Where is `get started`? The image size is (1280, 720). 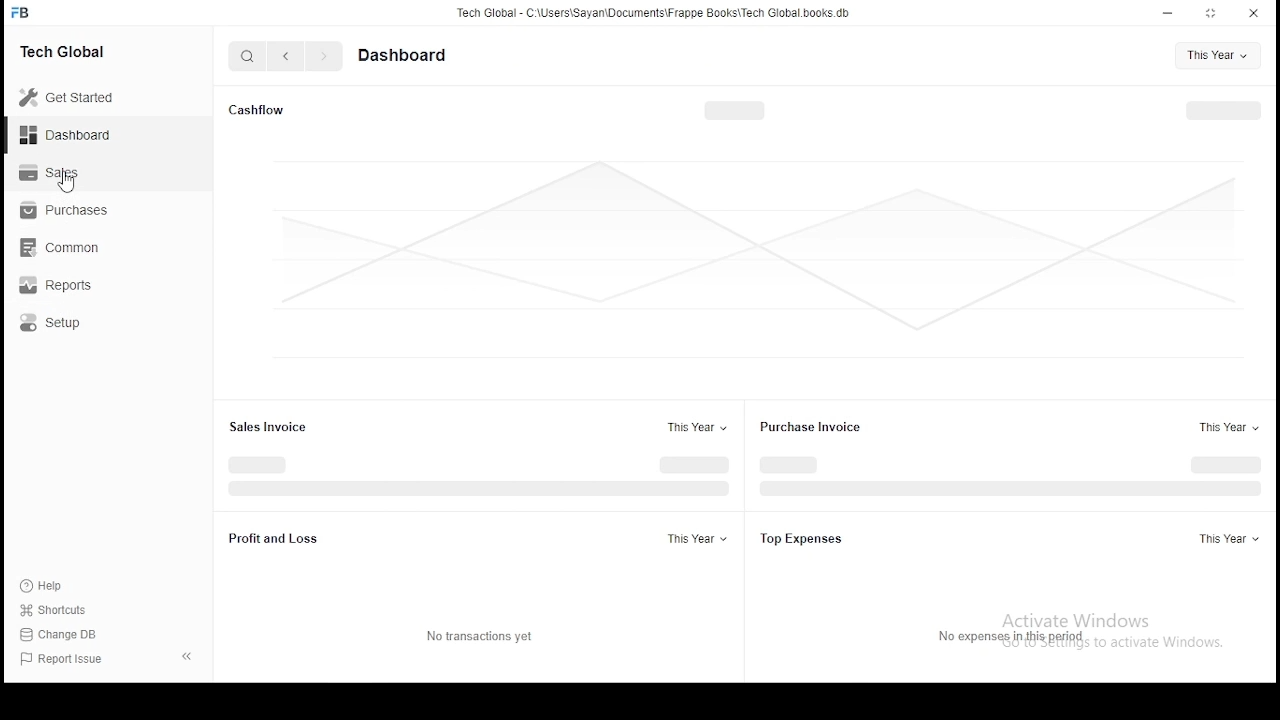
get started is located at coordinates (69, 97).